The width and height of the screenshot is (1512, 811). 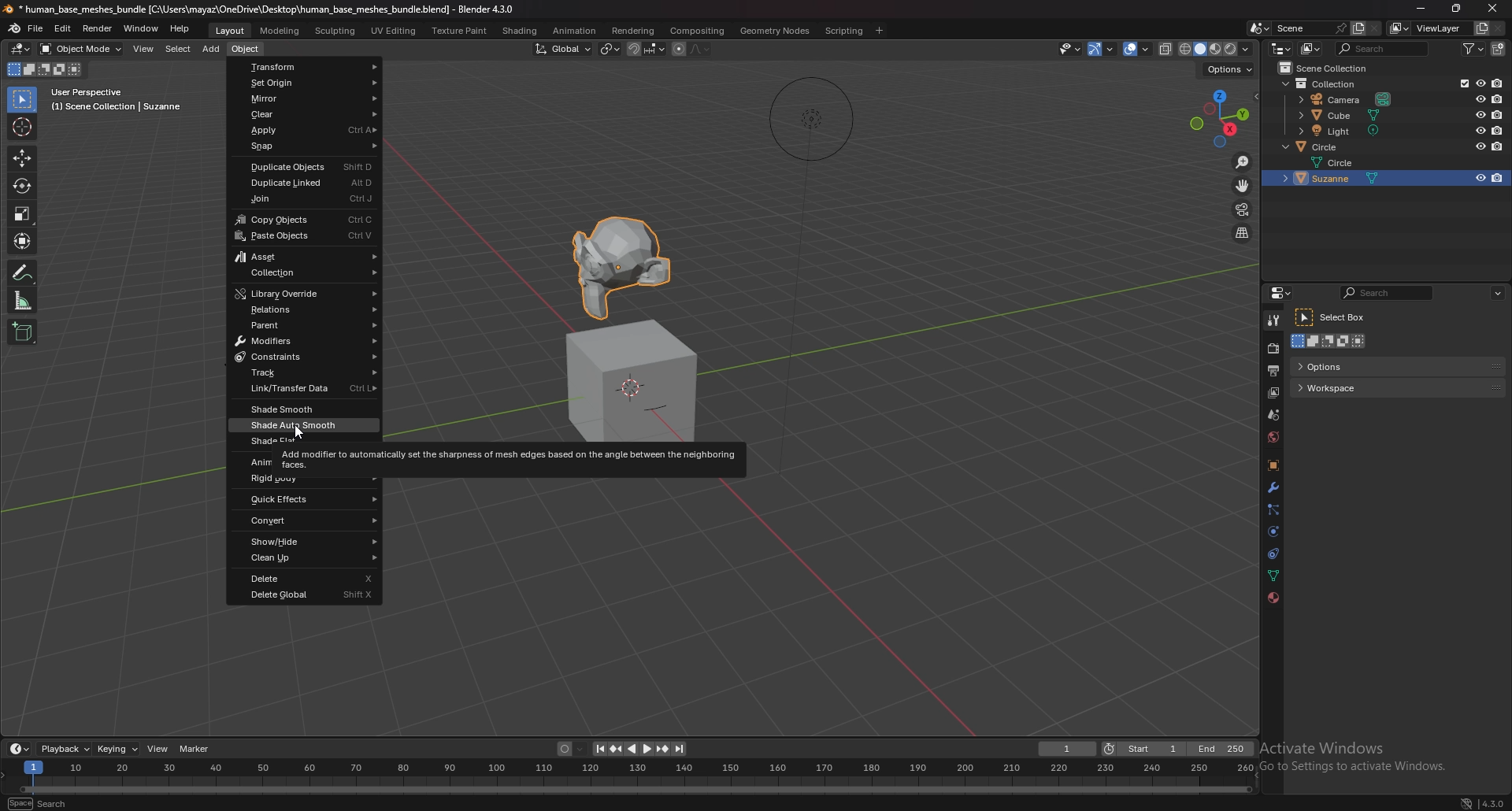 What do you see at coordinates (24, 127) in the screenshot?
I see `cursor` at bounding box center [24, 127].